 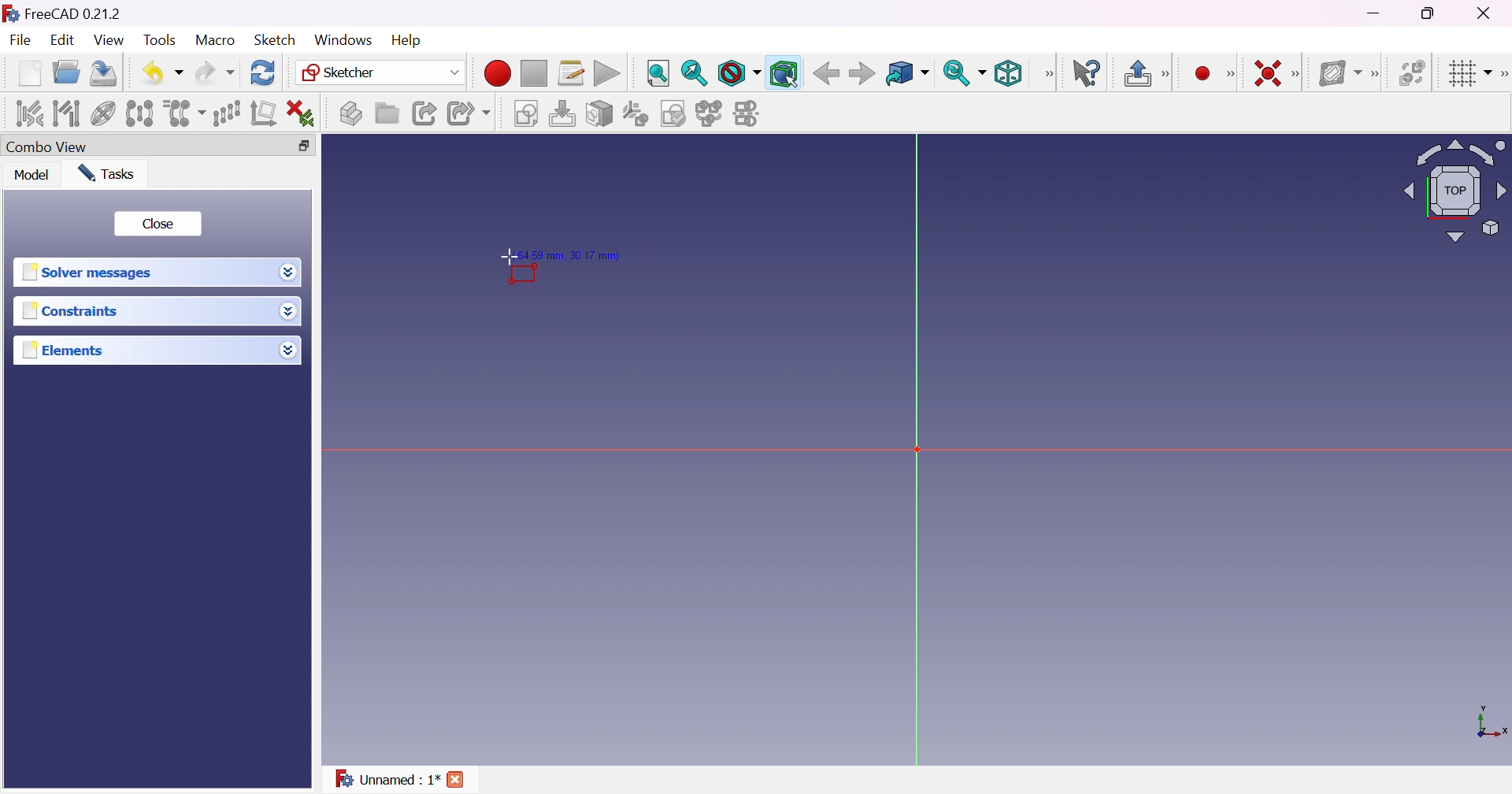 What do you see at coordinates (1377, 74) in the screenshot?
I see `[Sketcher B-spline tools]` at bounding box center [1377, 74].